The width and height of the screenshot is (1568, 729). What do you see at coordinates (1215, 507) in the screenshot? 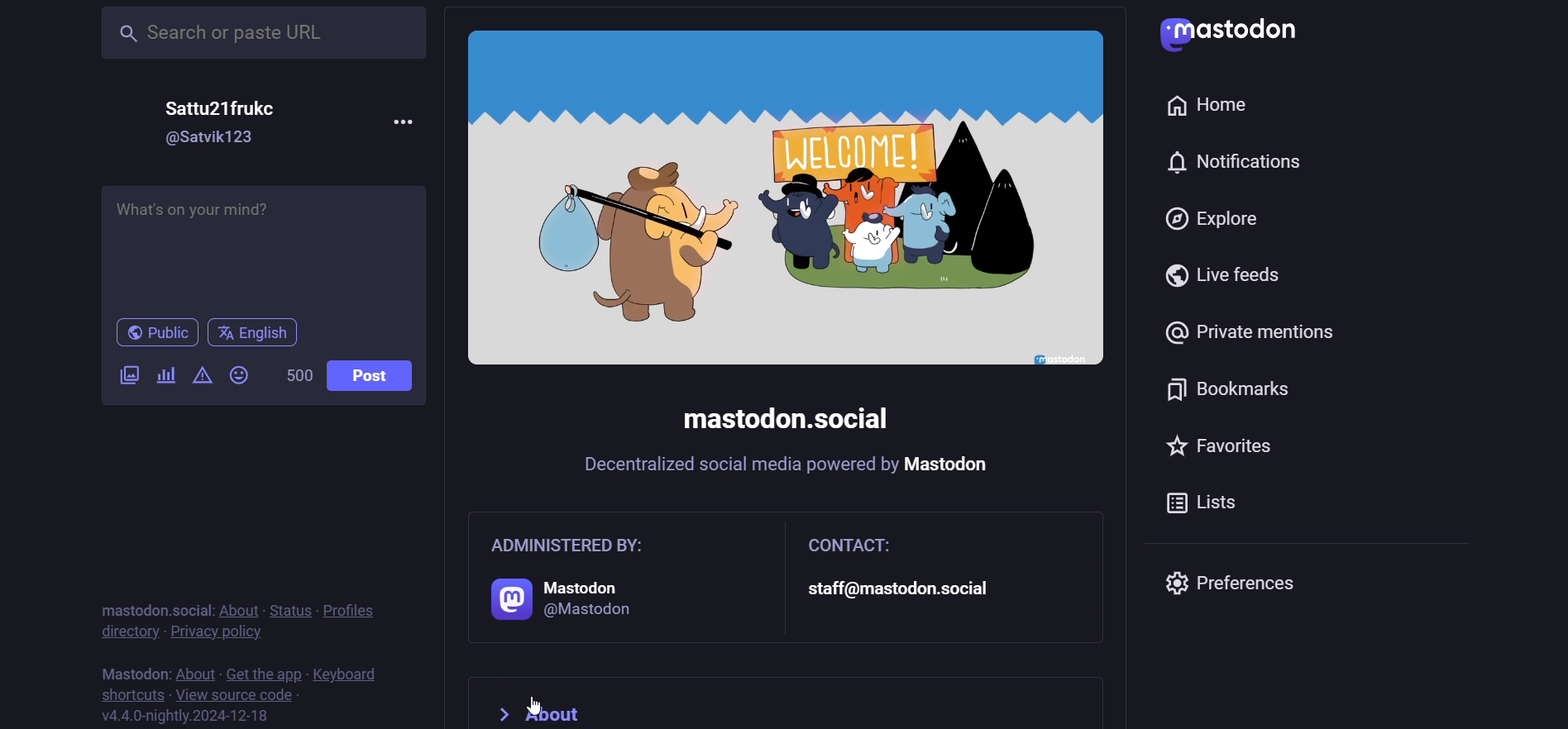
I see `list` at bounding box center [1215, 507].